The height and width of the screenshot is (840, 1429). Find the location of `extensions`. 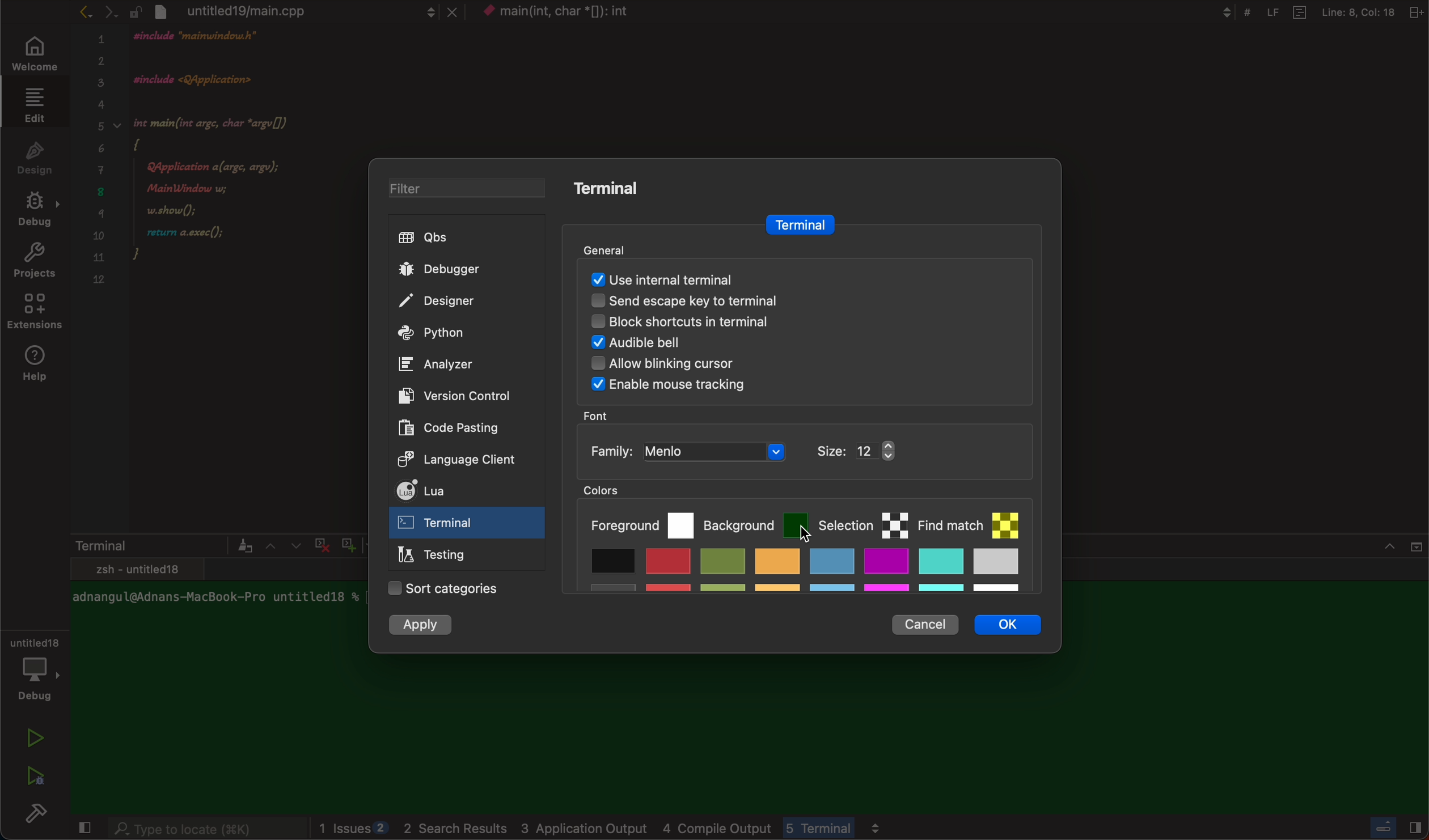

extensions is located at coordinates (36, 315).